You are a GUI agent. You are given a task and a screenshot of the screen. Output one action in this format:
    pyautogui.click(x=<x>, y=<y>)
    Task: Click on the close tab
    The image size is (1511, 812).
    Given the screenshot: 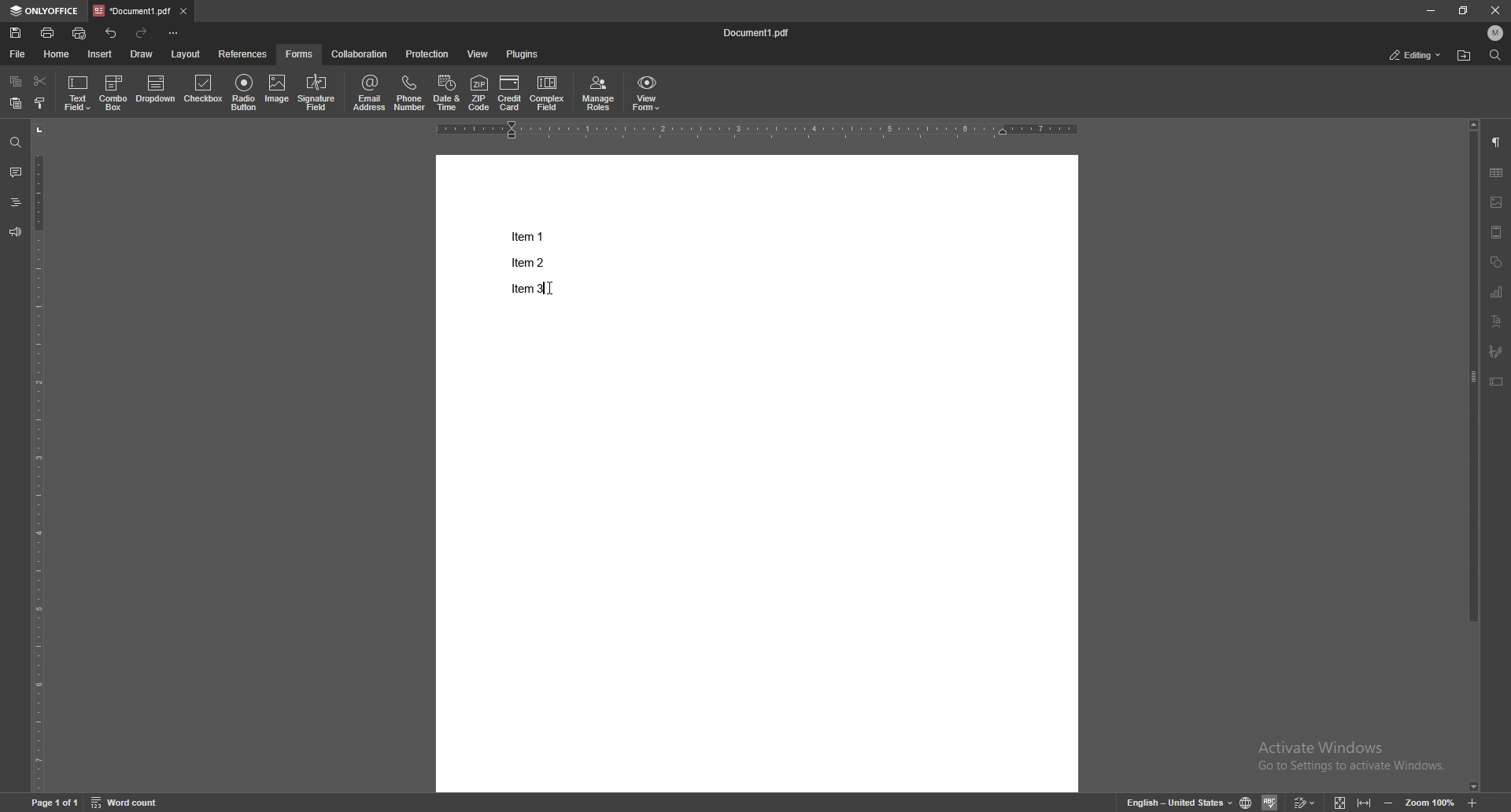 What is the action you would take?
    pyautogui.click(x=183, y=12)
    